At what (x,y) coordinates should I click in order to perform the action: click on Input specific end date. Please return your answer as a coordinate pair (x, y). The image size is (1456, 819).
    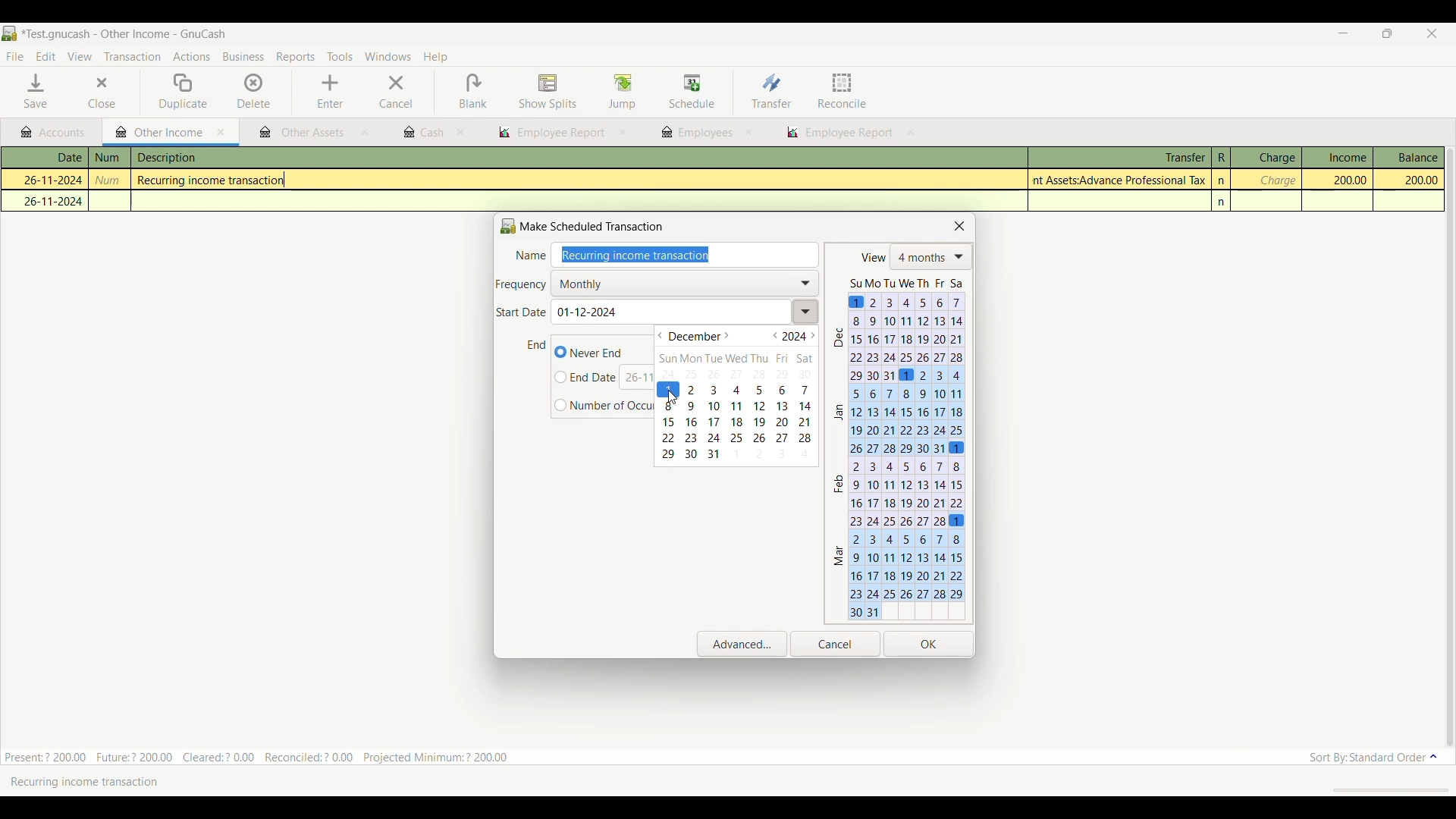
    Looking at the image, I should click on (586, 378).